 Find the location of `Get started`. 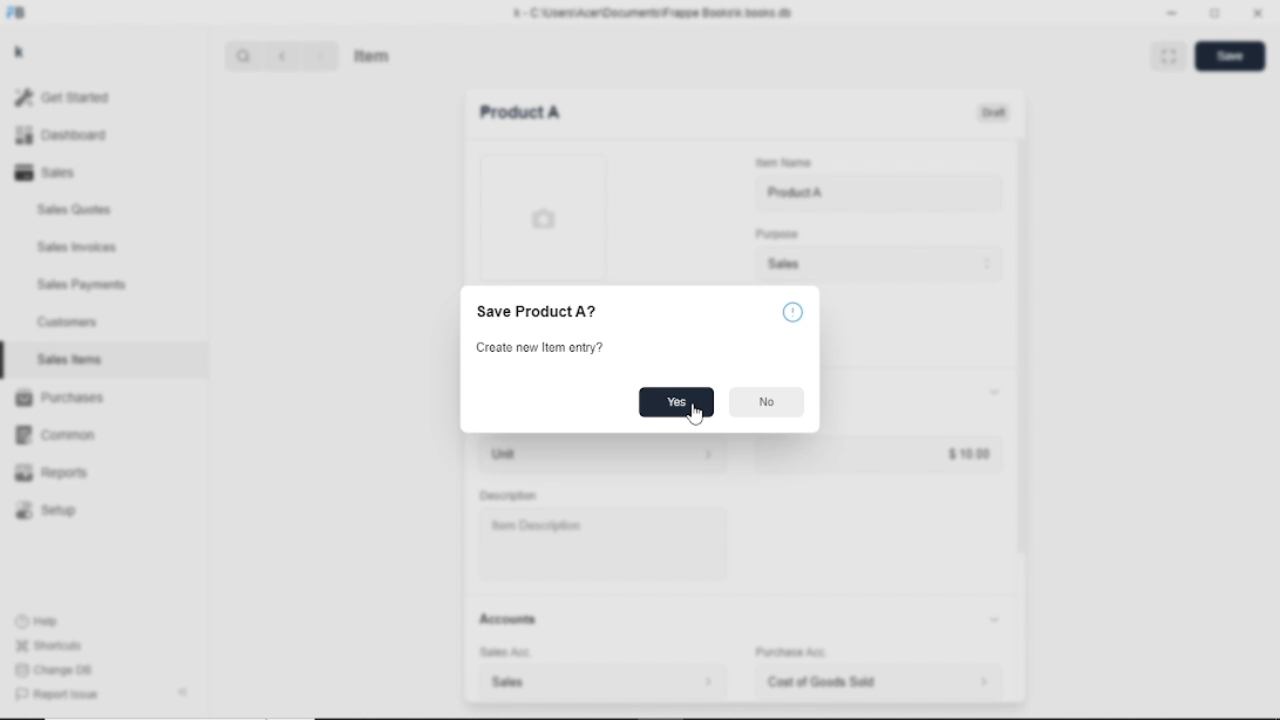

Get started is located at coordinates (71, 97).